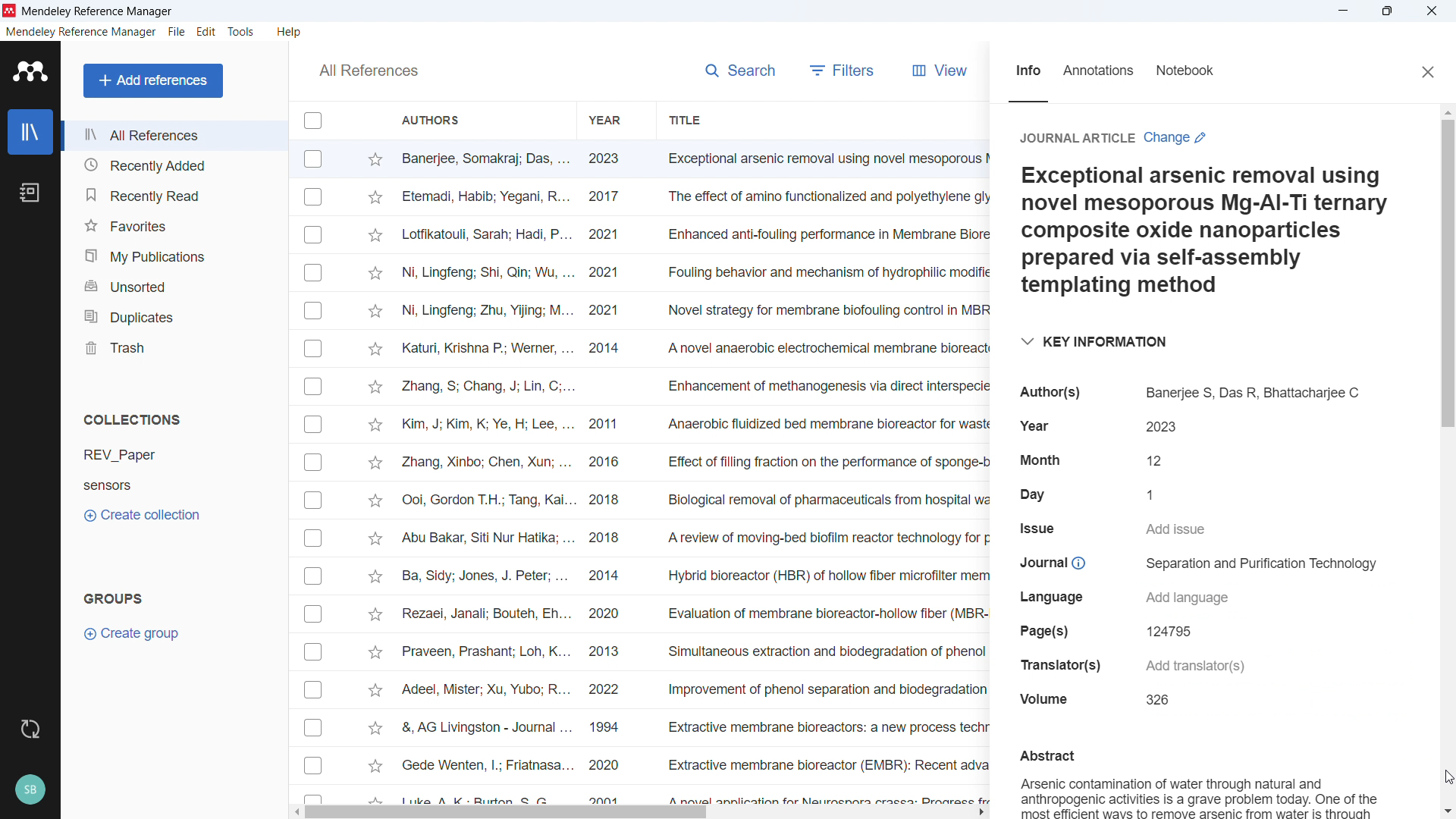 This screenshot has width=1456, height=819. I want to click on improvement of phenol separation and biodegradation from saline wastewater, so click(822, 692).